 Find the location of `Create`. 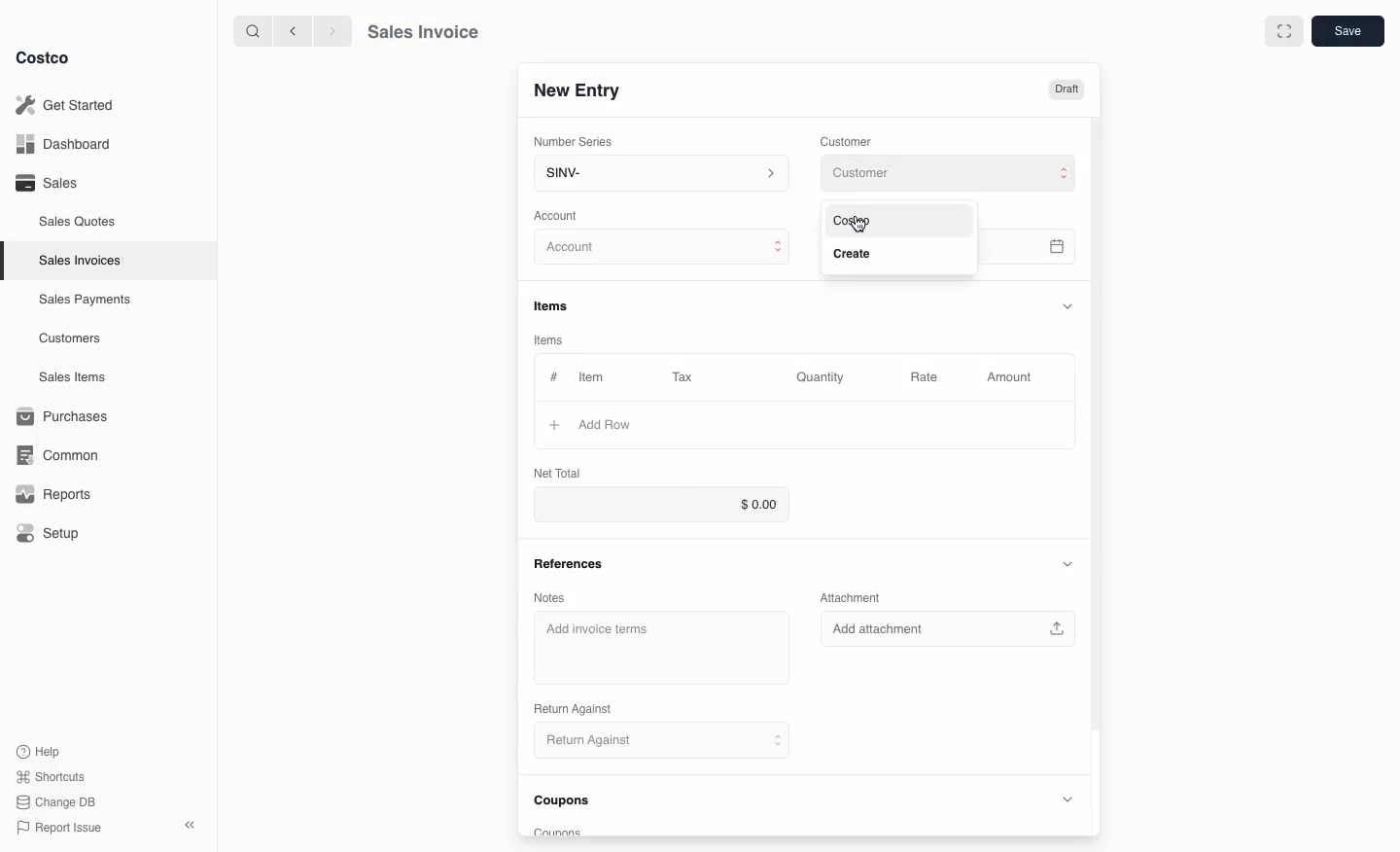

Create is located at coordinates (864, 251).